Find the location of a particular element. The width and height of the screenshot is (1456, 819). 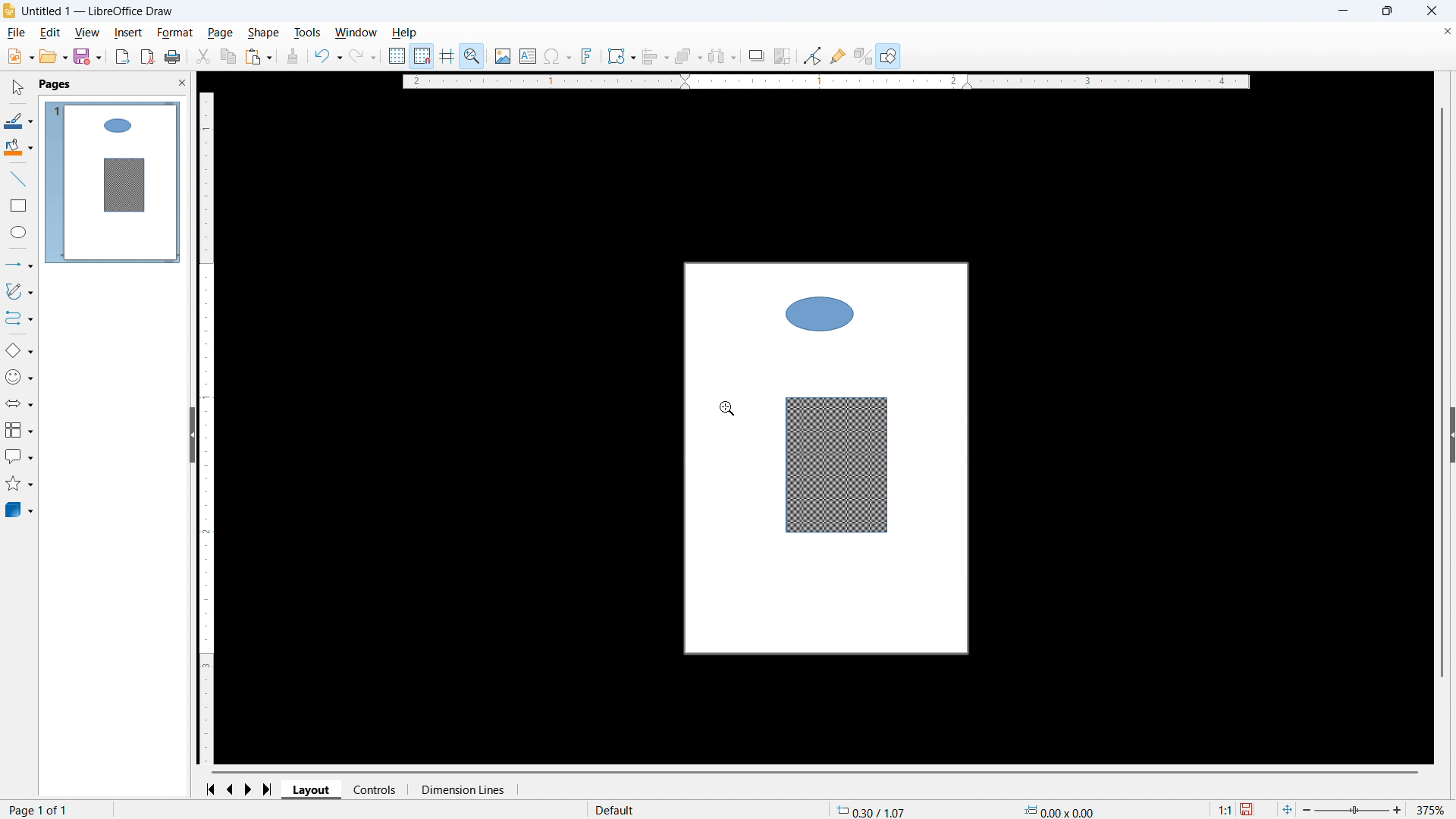

Vertical scroll bar  is located at coordinates (1442, 392).